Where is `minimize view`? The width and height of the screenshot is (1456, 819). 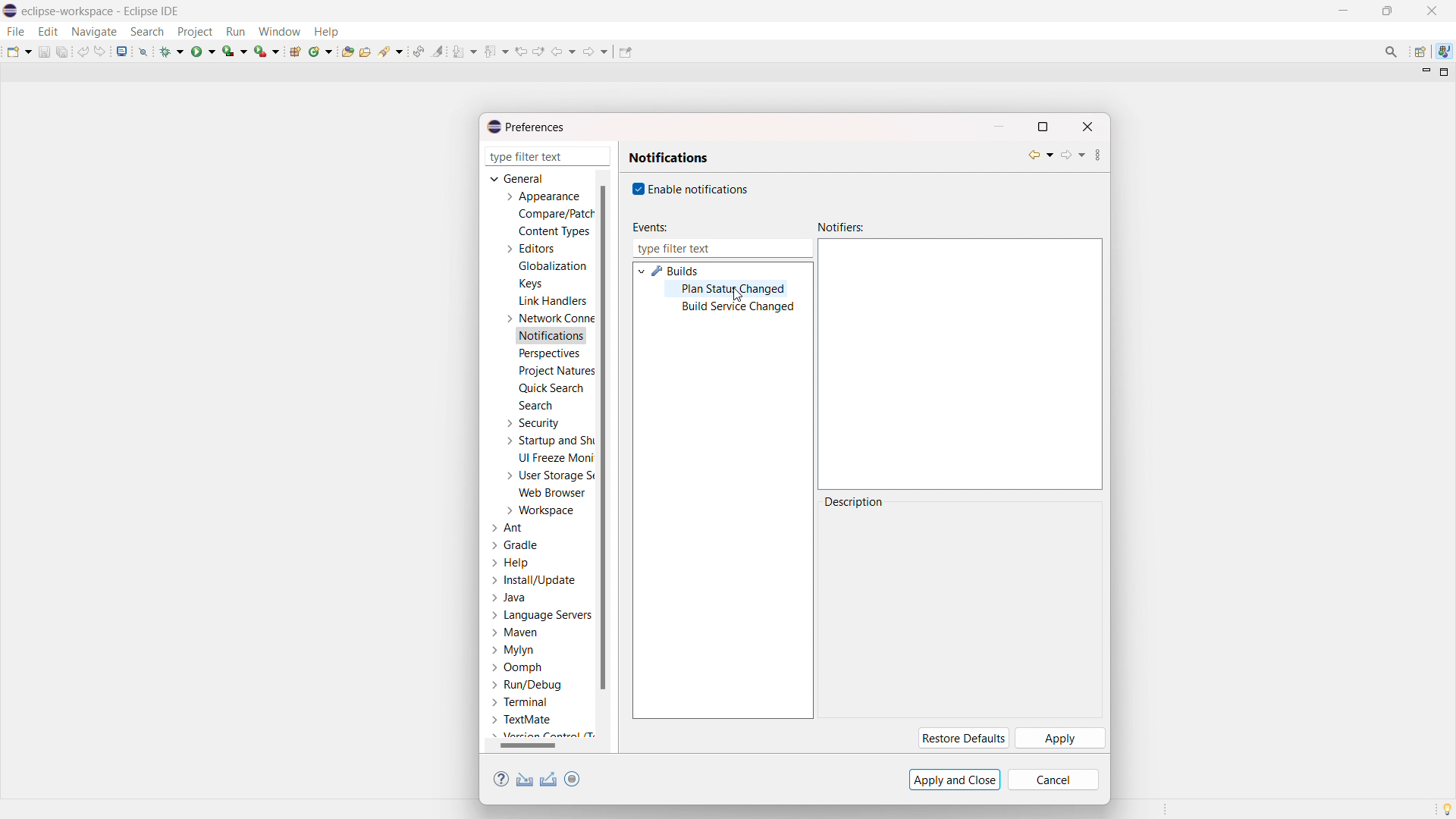 minimize view is located at coordinates (1424, 71).